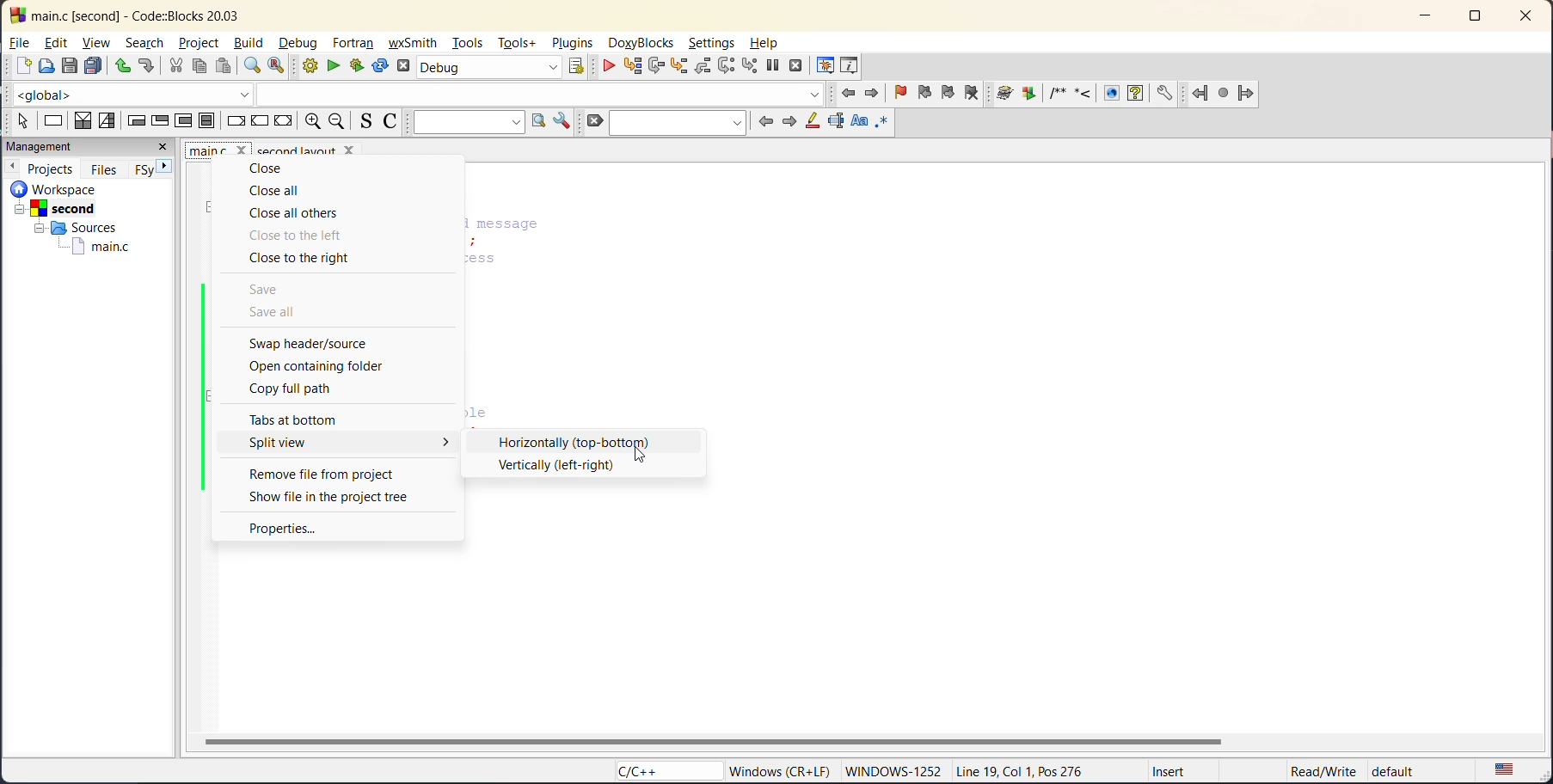 The width and height of the screenshot is (1553, 784). I want to click on jump forward, so click(1248, 94).